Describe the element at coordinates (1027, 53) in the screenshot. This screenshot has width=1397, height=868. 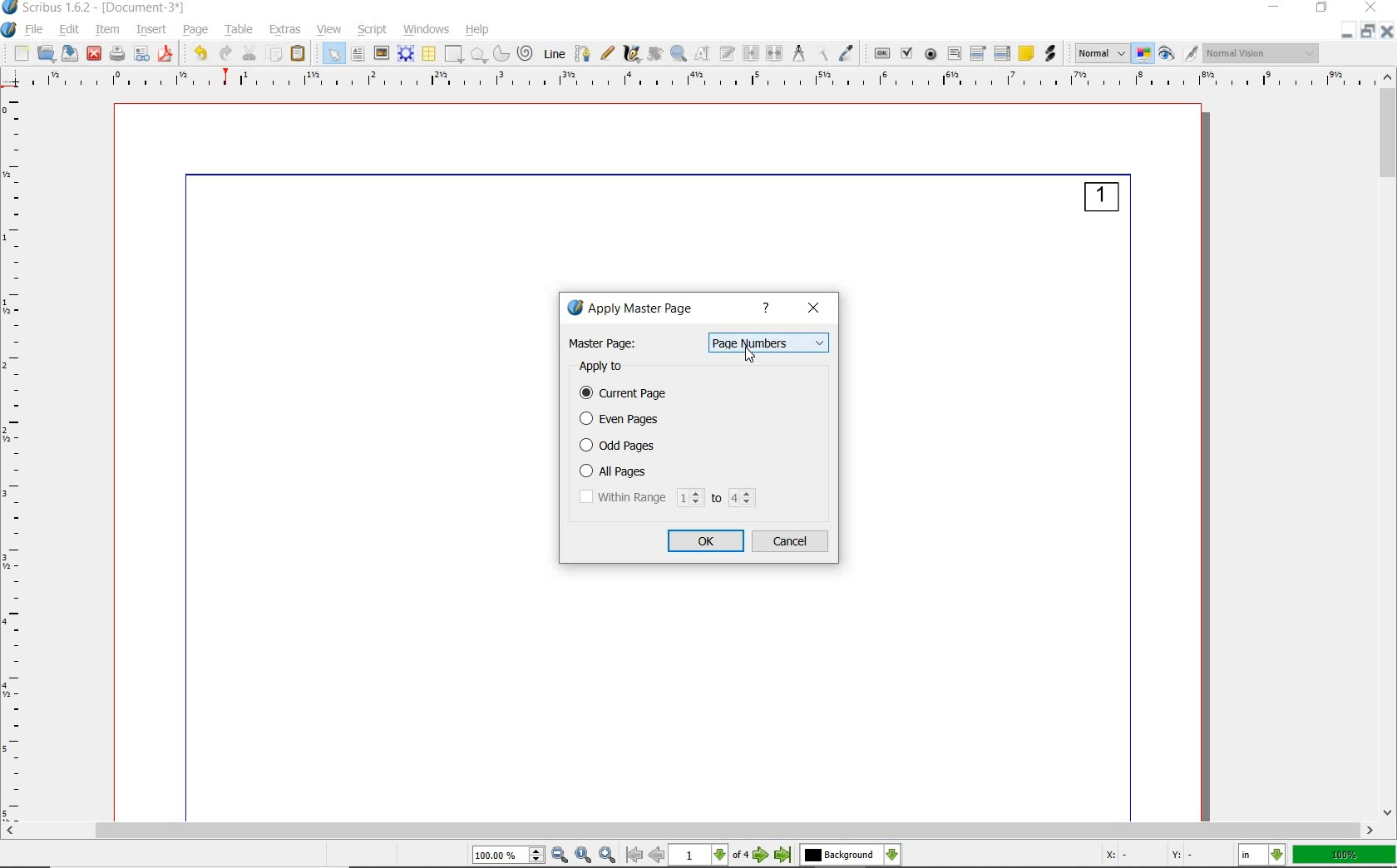
I see `text annotation` at that location.